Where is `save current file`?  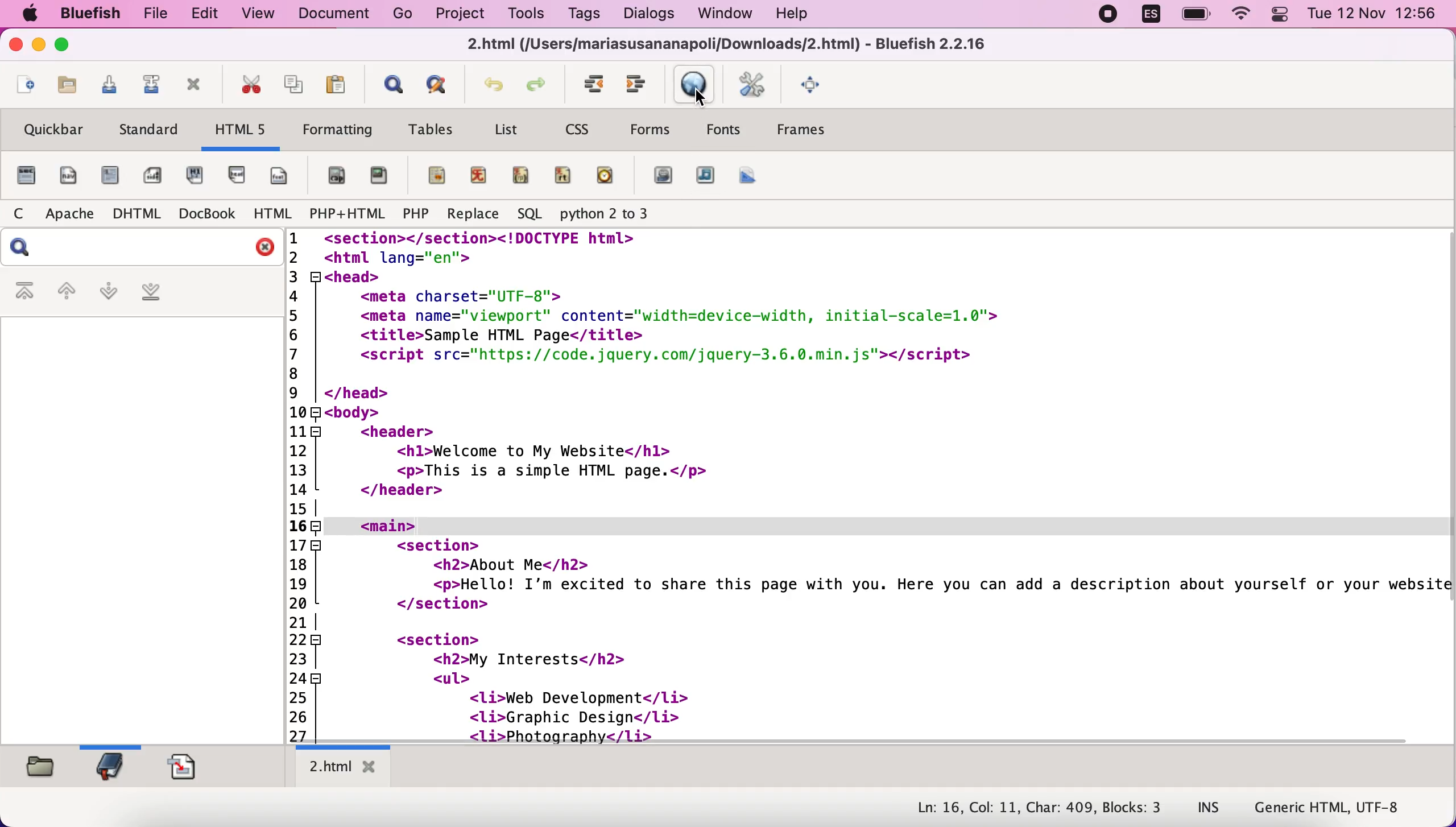 save current file is located at coordinates (108, 84).